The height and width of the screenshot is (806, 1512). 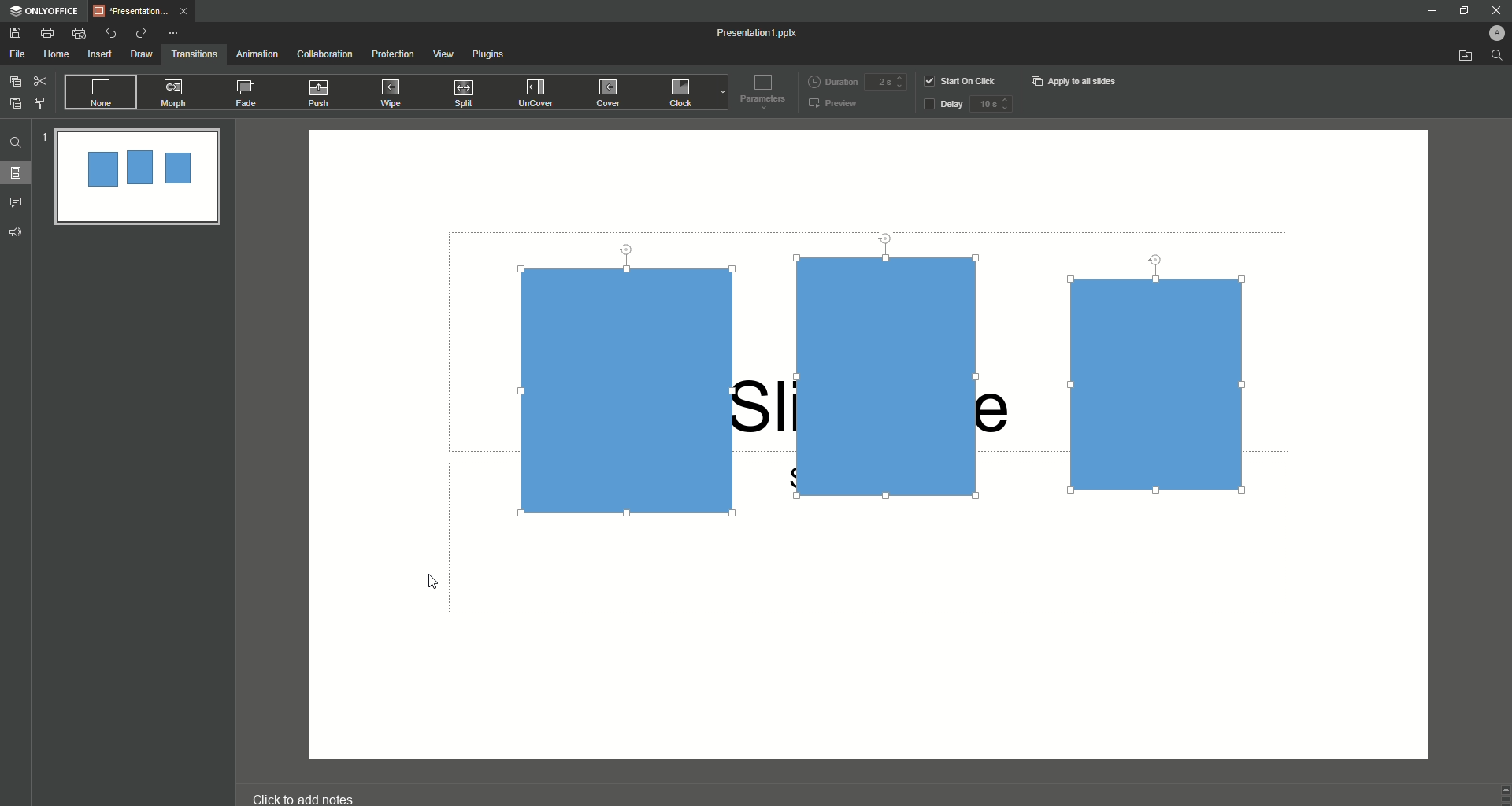 I want to click on Wipe, so click(x=391, y=92).